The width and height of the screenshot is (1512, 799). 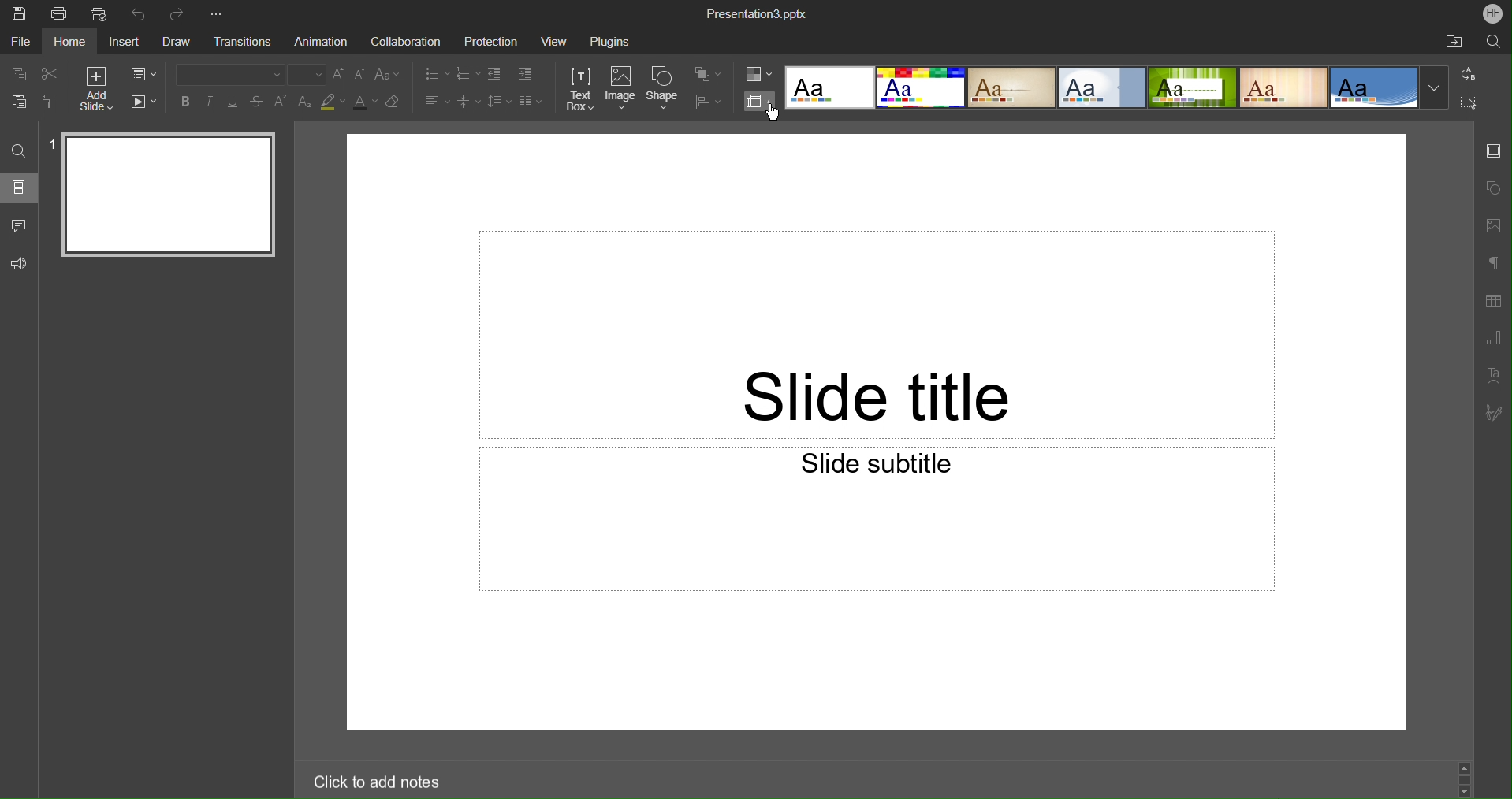 I want to click on Find, so click(x=18, y=151).